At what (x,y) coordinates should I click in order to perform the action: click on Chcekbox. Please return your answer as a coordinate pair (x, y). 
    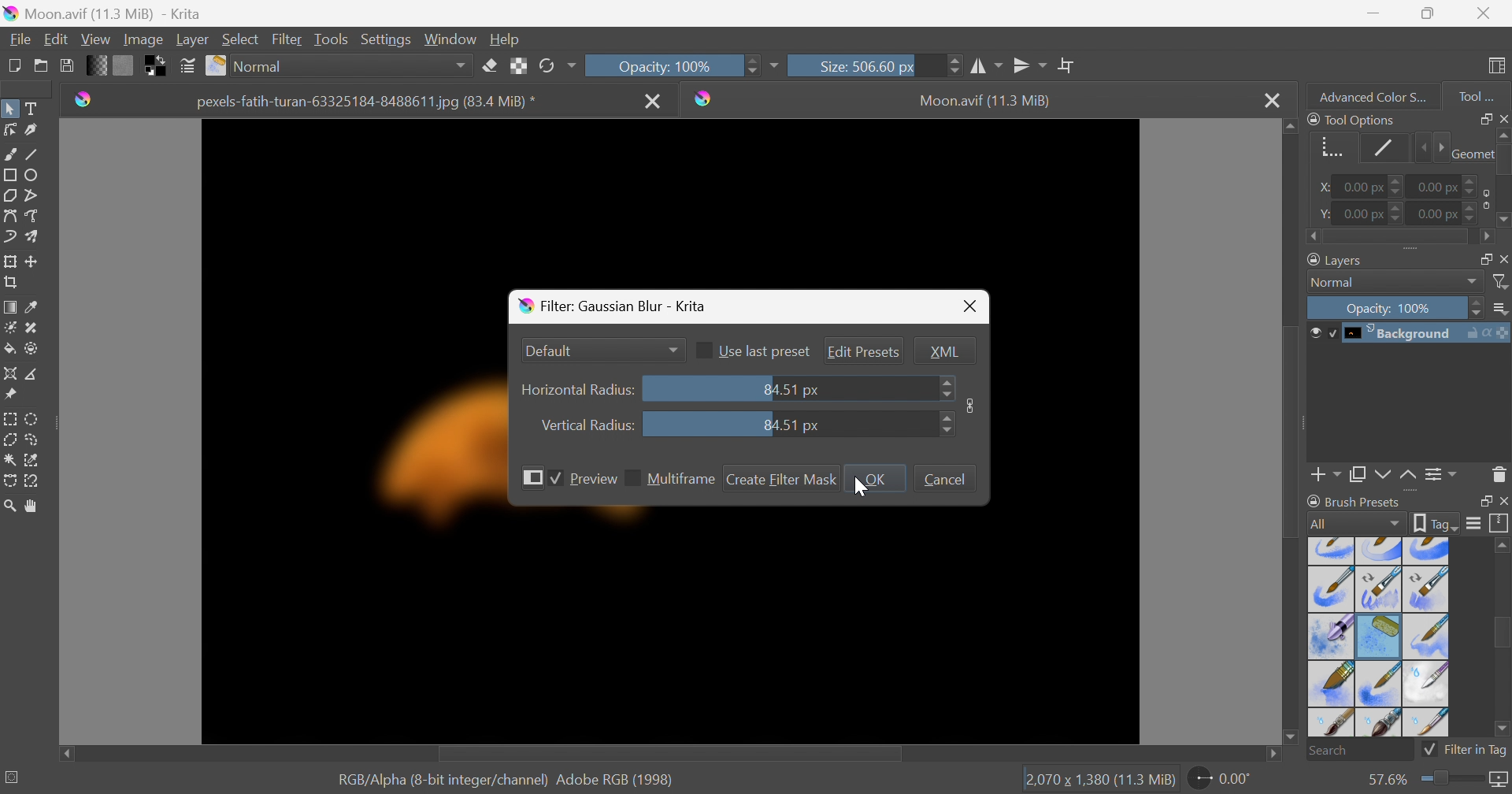
    Looking at the image, I should click on (632, 477).